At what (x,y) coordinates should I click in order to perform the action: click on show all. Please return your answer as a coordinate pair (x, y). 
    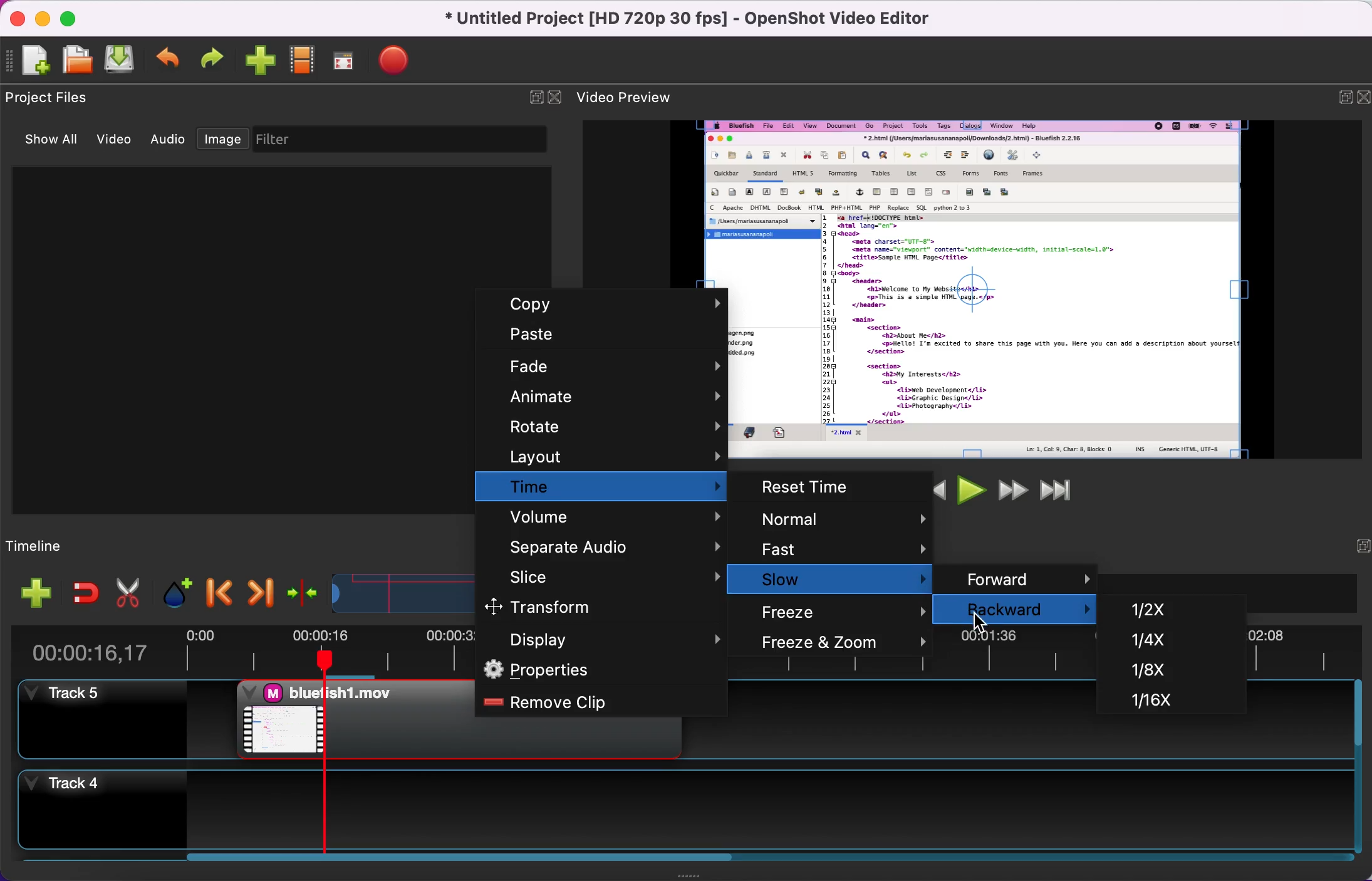
    Looking at the image, I should click on (56, 142).